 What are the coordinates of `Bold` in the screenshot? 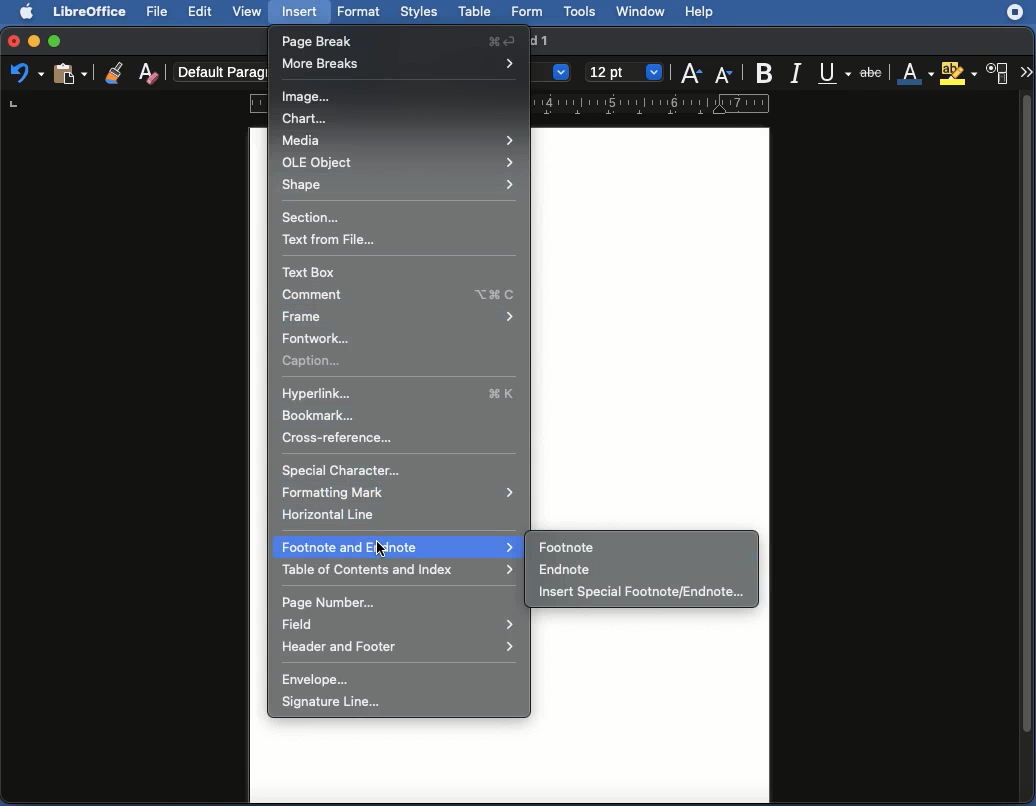 It's located at (766, 72).